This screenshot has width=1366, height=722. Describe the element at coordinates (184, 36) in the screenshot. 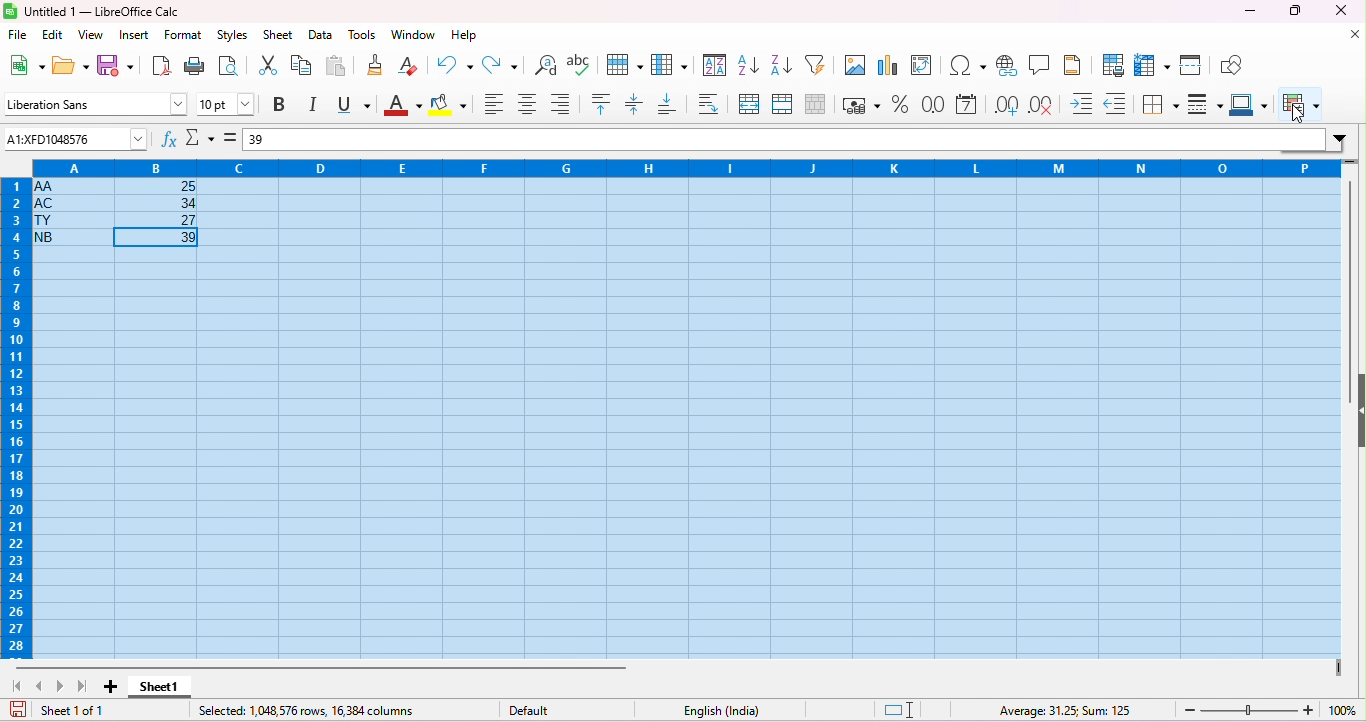

I see `format` at that location.